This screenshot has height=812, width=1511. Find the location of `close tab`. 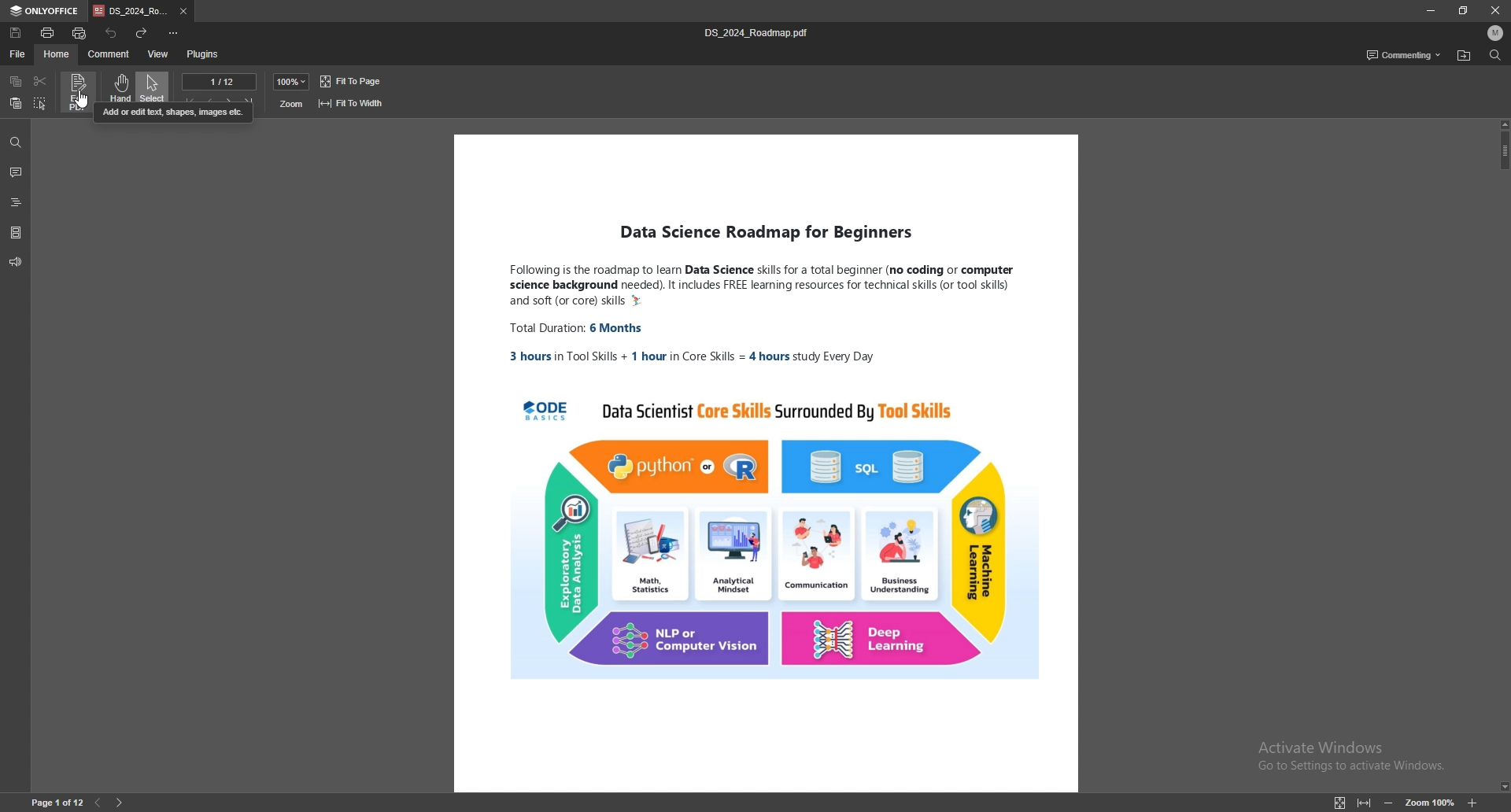

close tab is located at coordinates (184, 12).